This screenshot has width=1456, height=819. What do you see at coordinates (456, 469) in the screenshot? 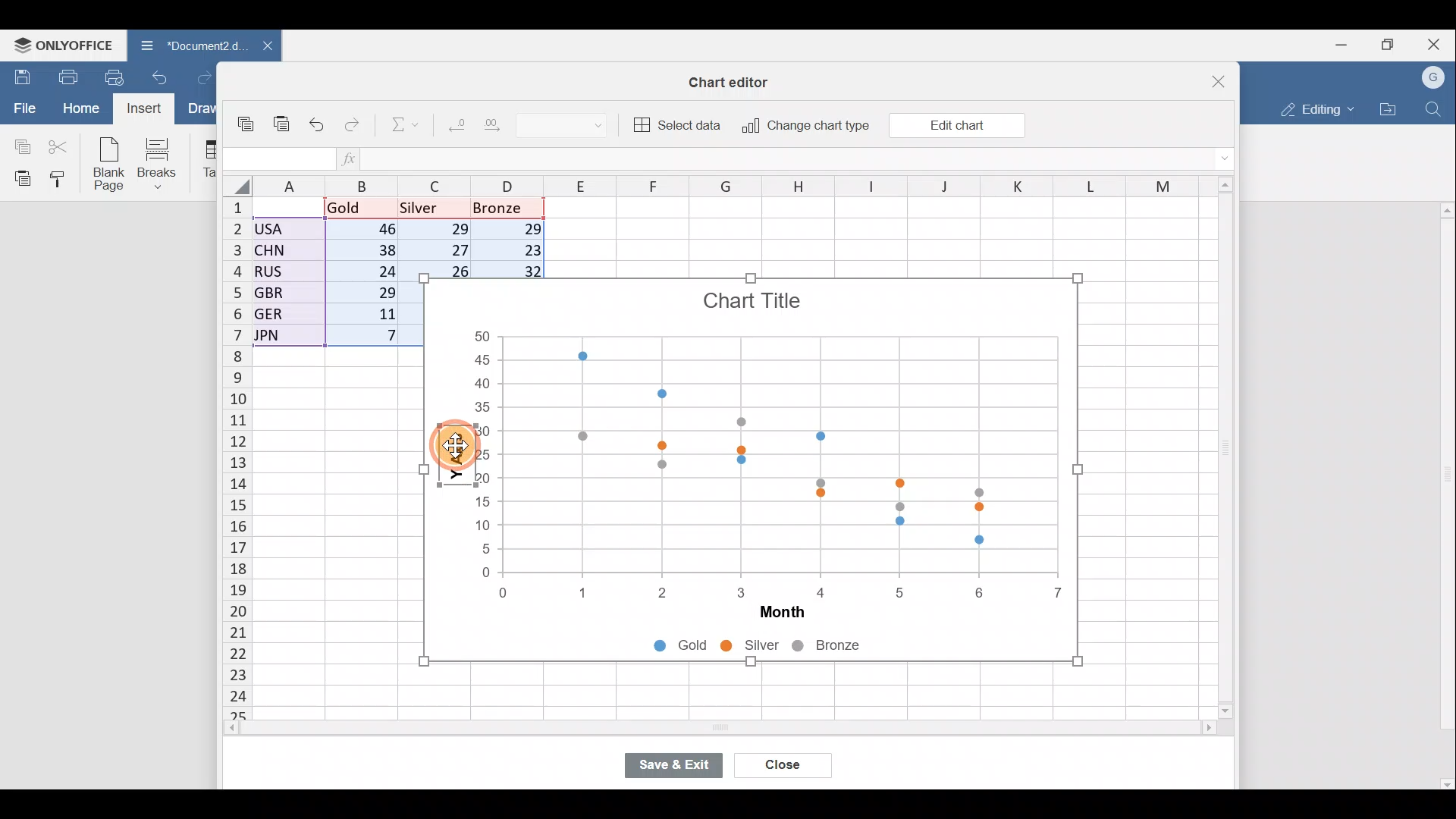
I see `Cursor on Y-axis` at bounding box center [456, 469].